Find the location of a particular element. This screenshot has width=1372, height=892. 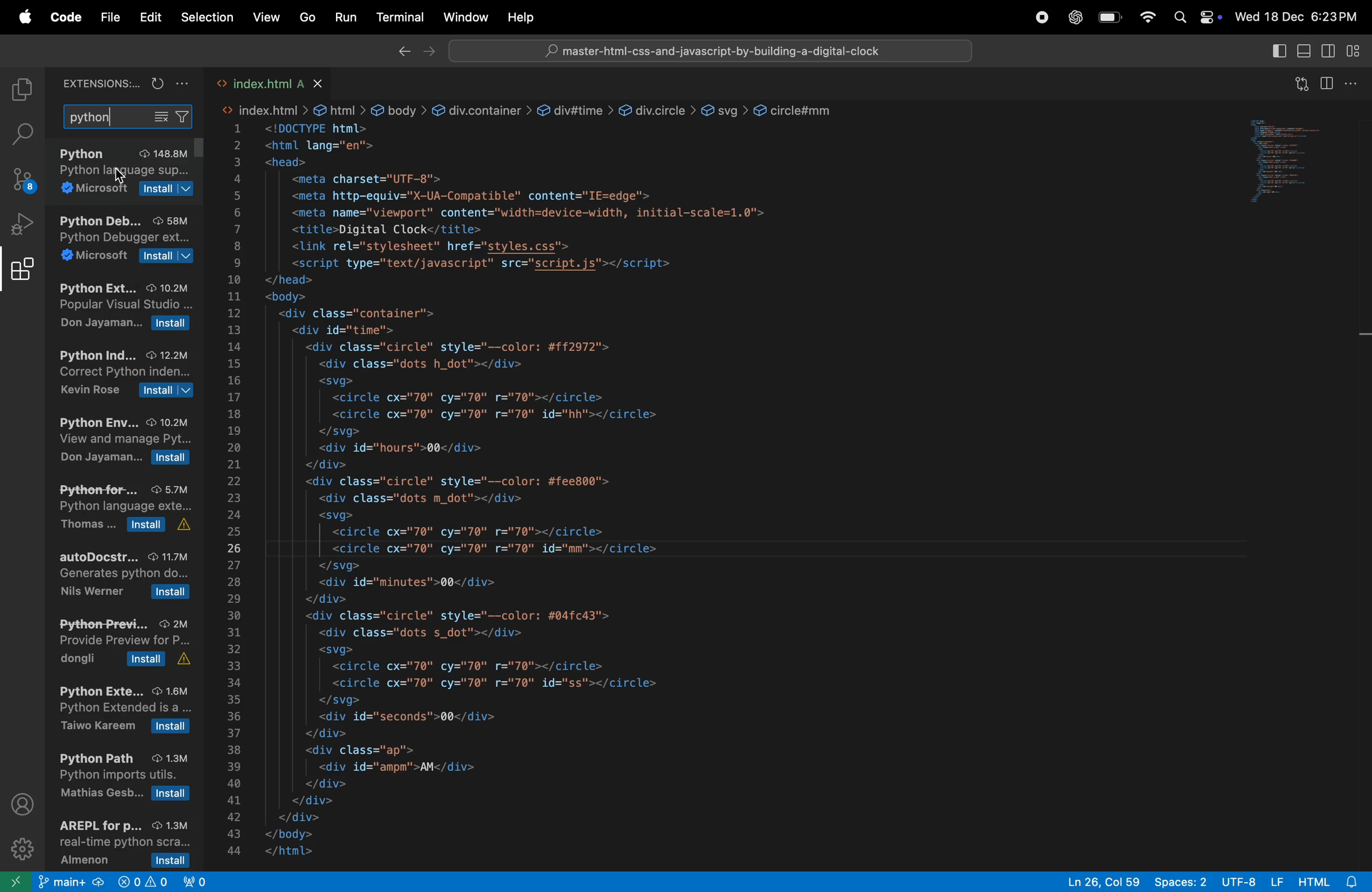

search bar is located at coordinates (707, 50).